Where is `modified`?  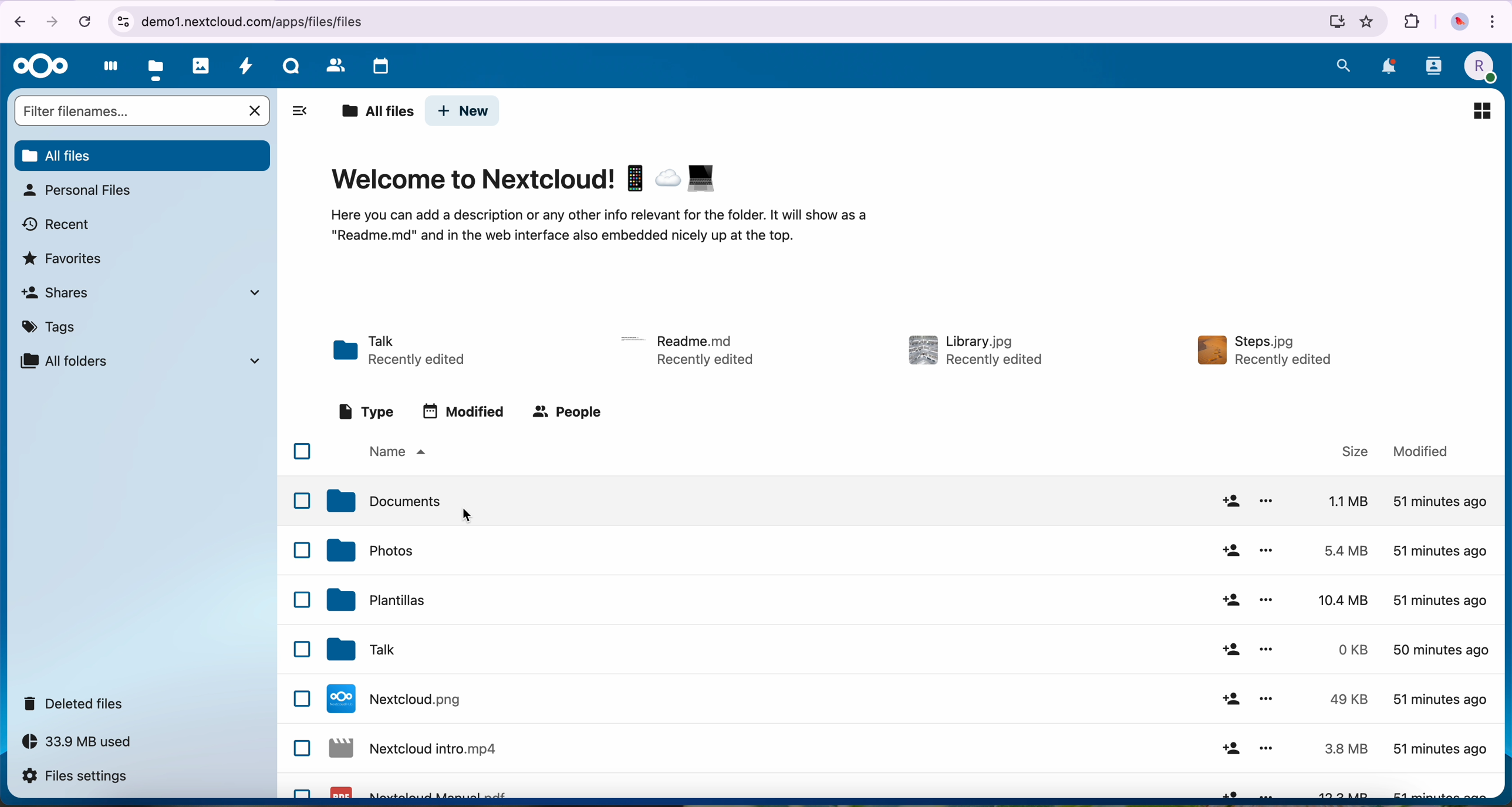
modified is located at coordinates (1440, 700).